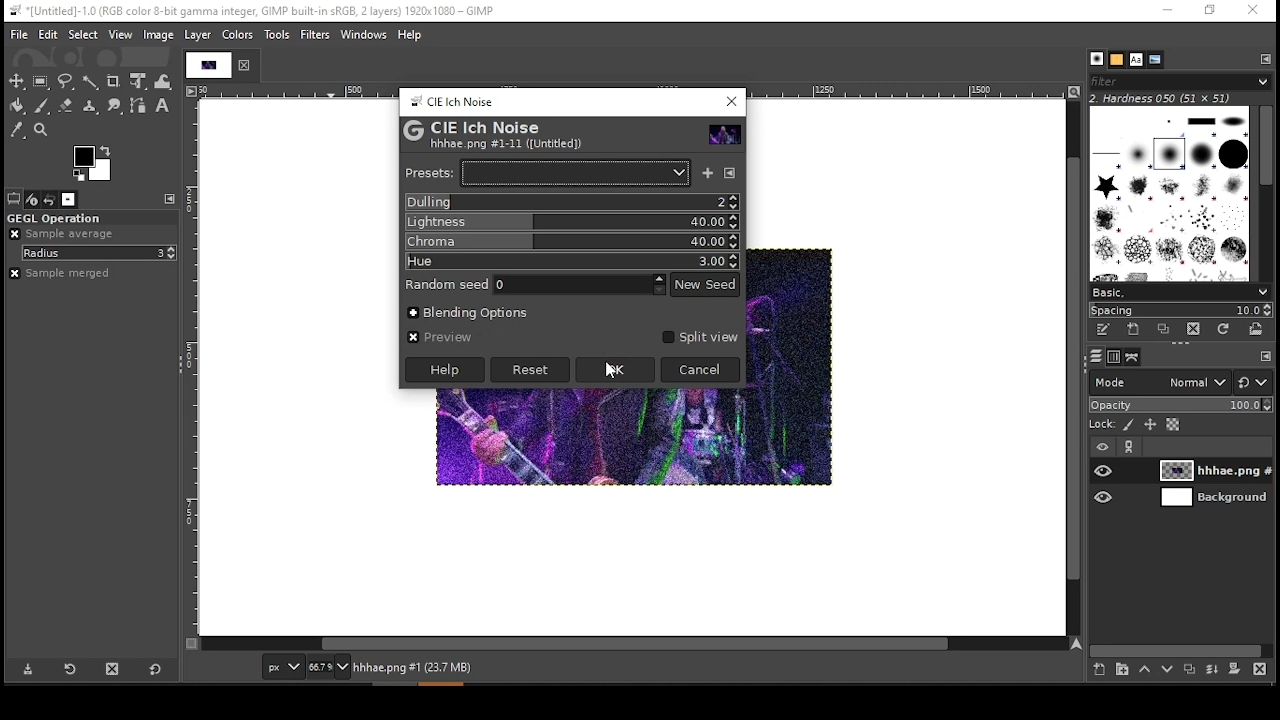 This screenshot has width=1280, height=720. Describe the element at coordinates (1111, 357) in the screenshot. I see `channels` at that location.